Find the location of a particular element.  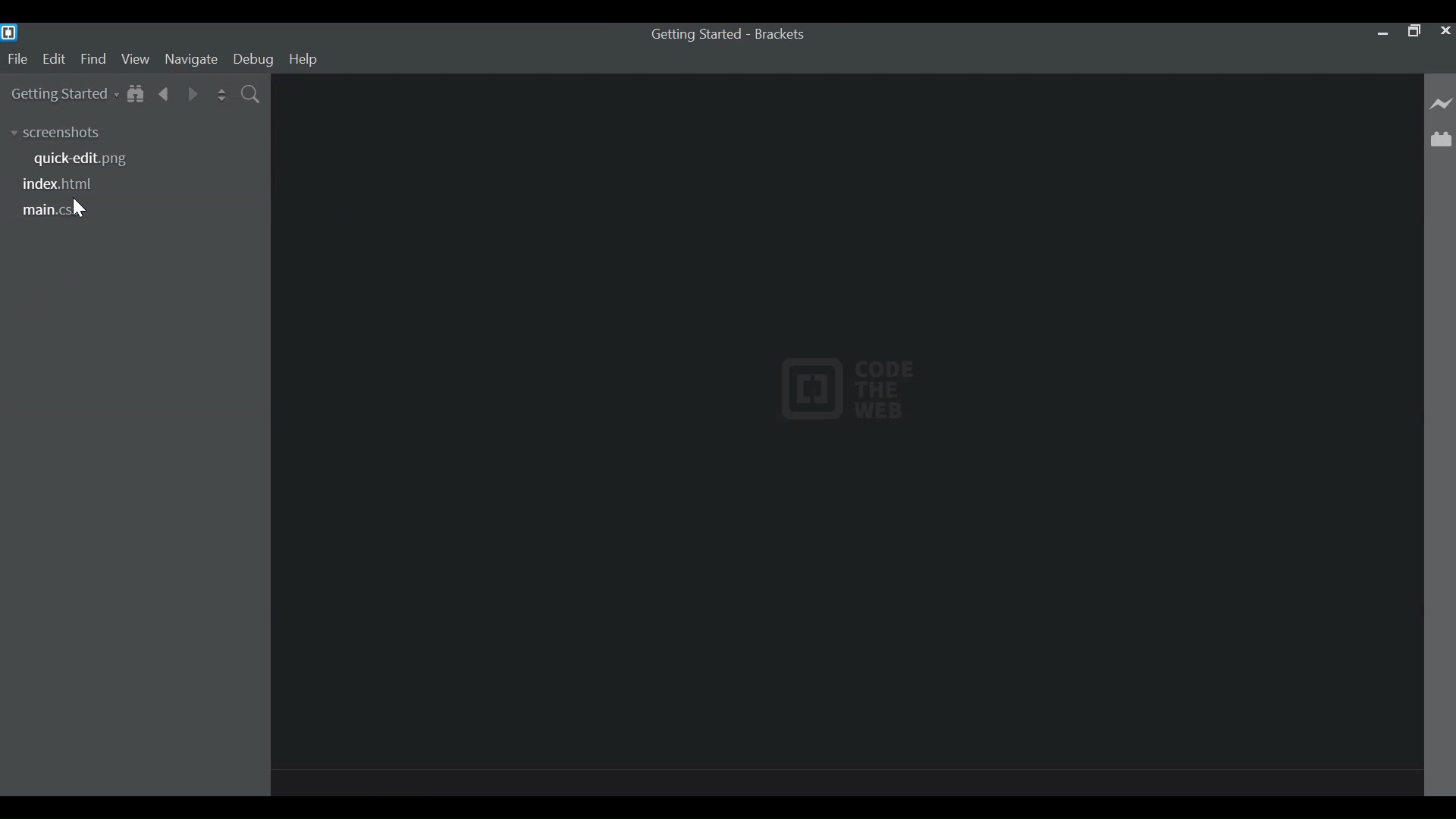

Restore is located at coordinates (1414, 32).